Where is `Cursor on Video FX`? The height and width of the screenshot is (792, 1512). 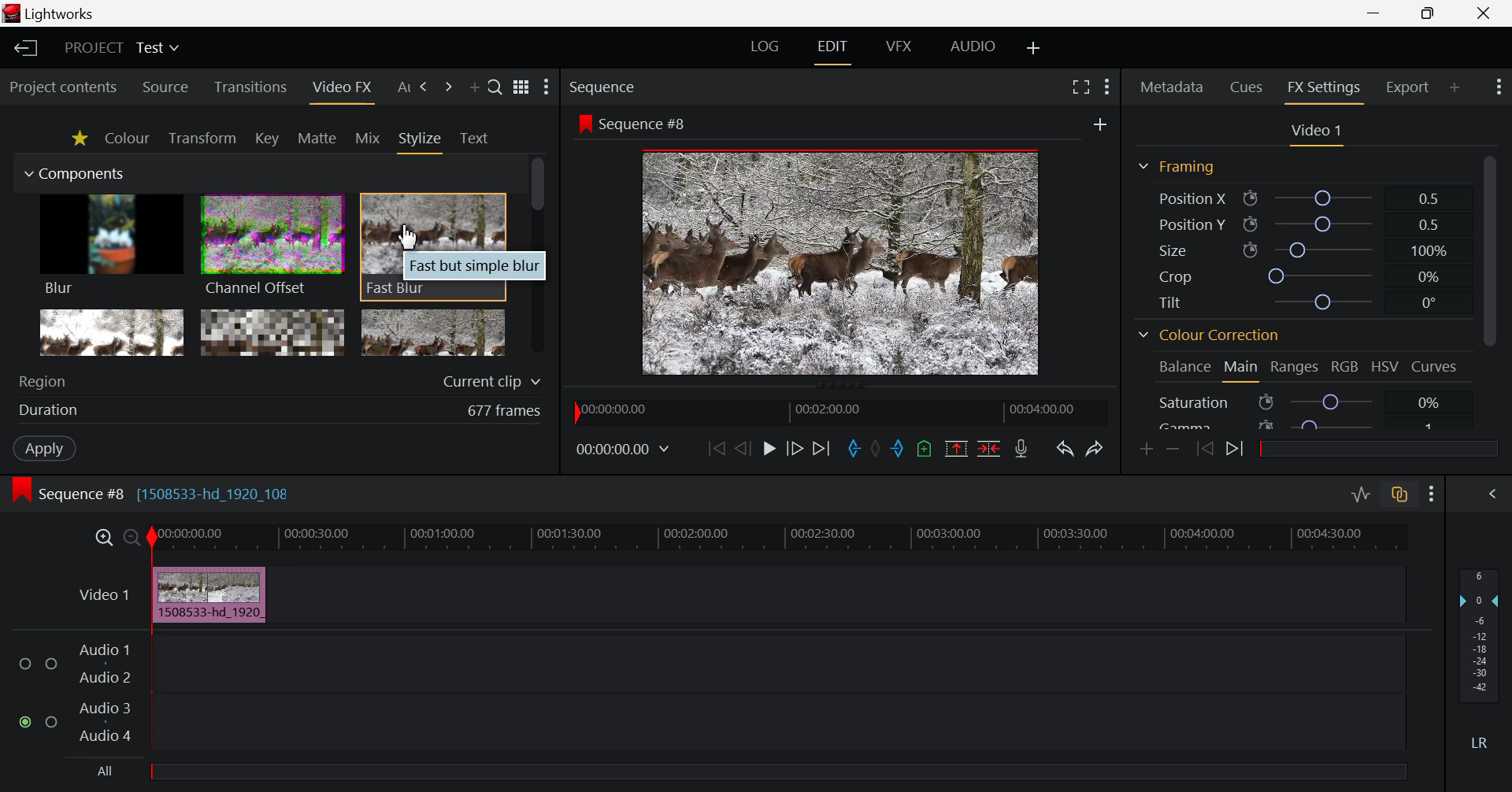 Cursor on Video FX is located at coordinates (350, 88).